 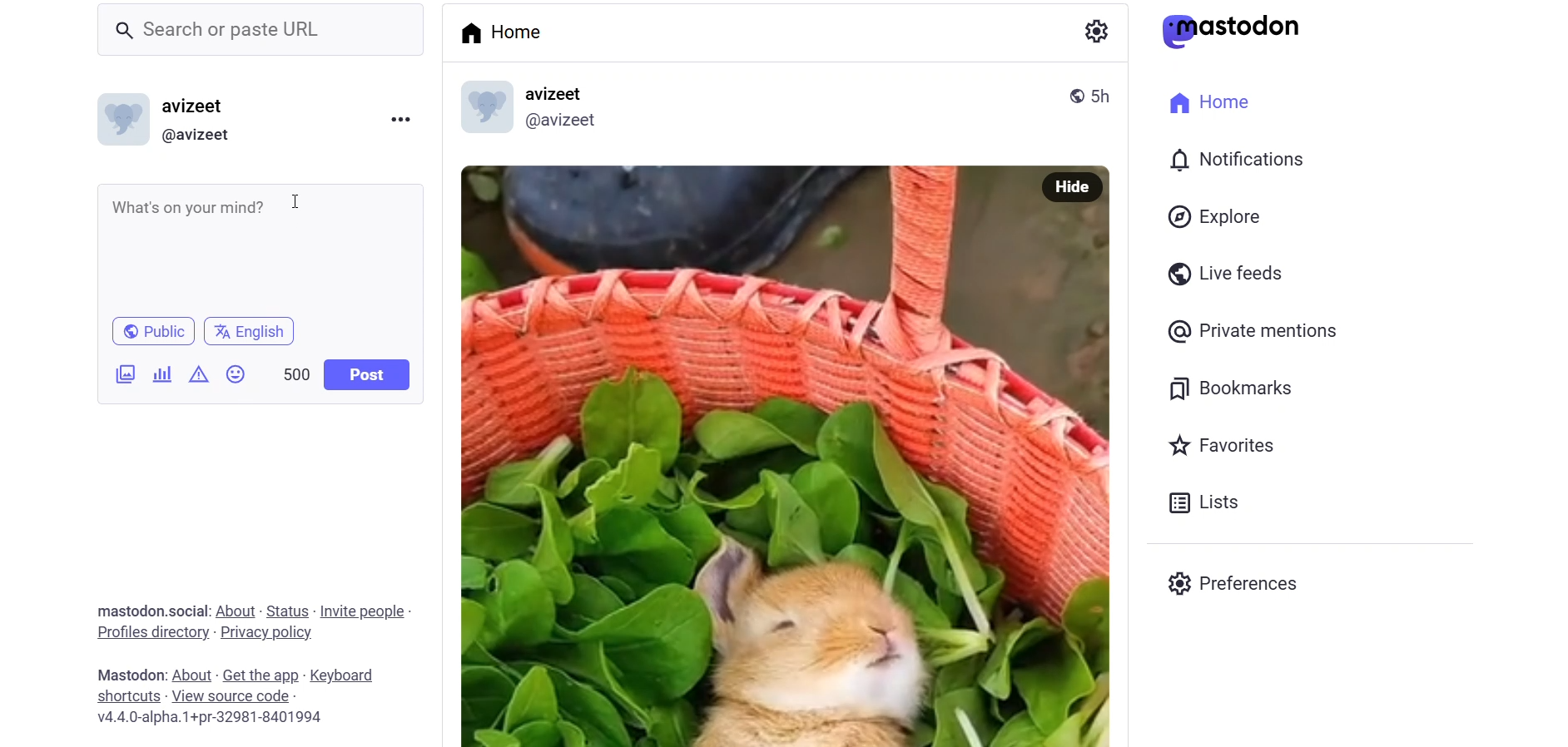 I want to click on privacy policy, so click(x=266, y=635).